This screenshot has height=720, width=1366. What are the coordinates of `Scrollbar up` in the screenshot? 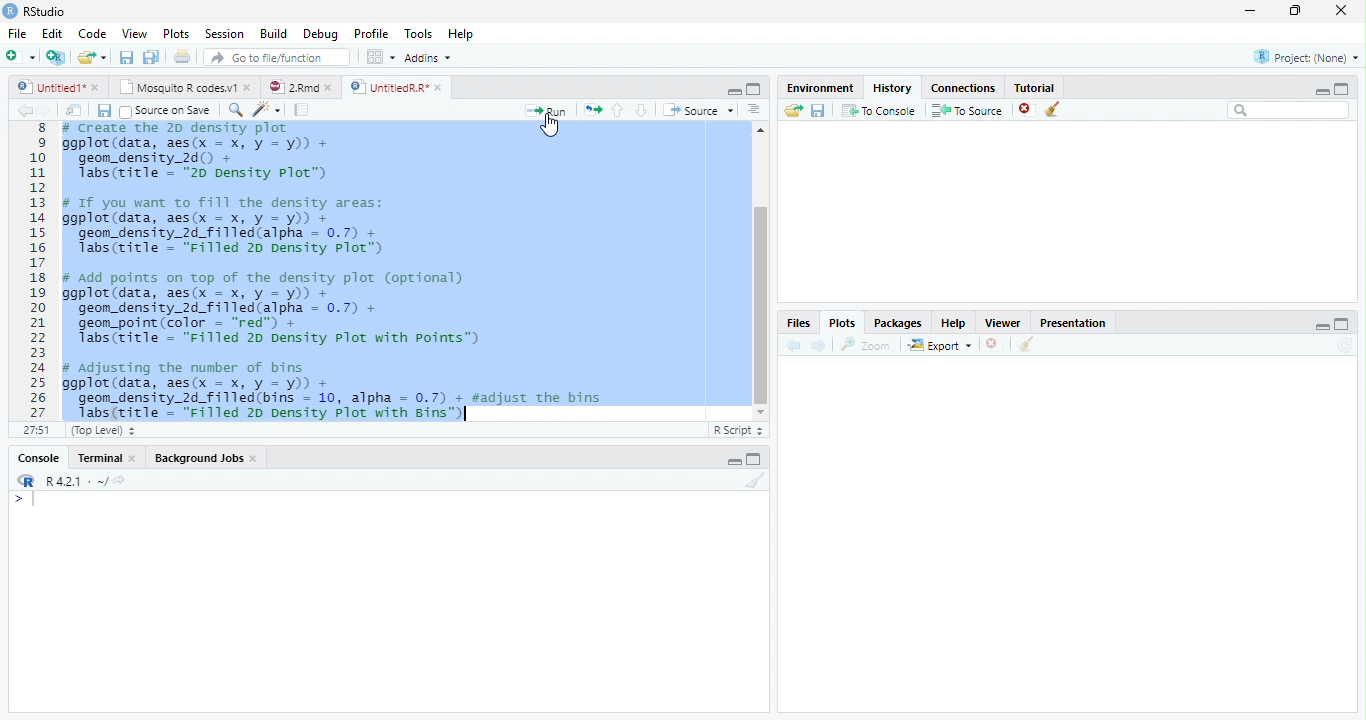 It's located at (758, 130).